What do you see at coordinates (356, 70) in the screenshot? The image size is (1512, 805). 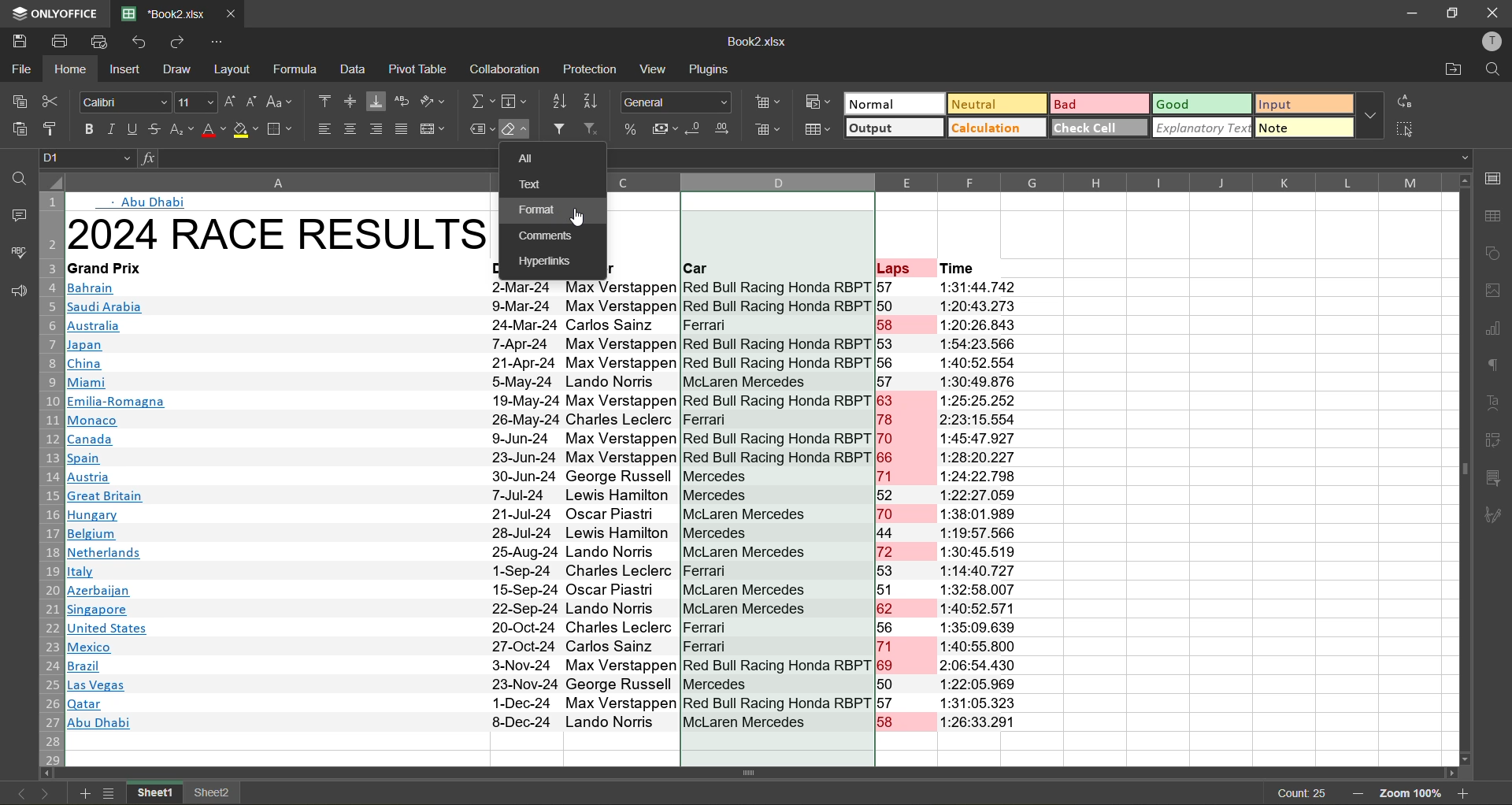 I see `data` at bounding box center [356, 70].